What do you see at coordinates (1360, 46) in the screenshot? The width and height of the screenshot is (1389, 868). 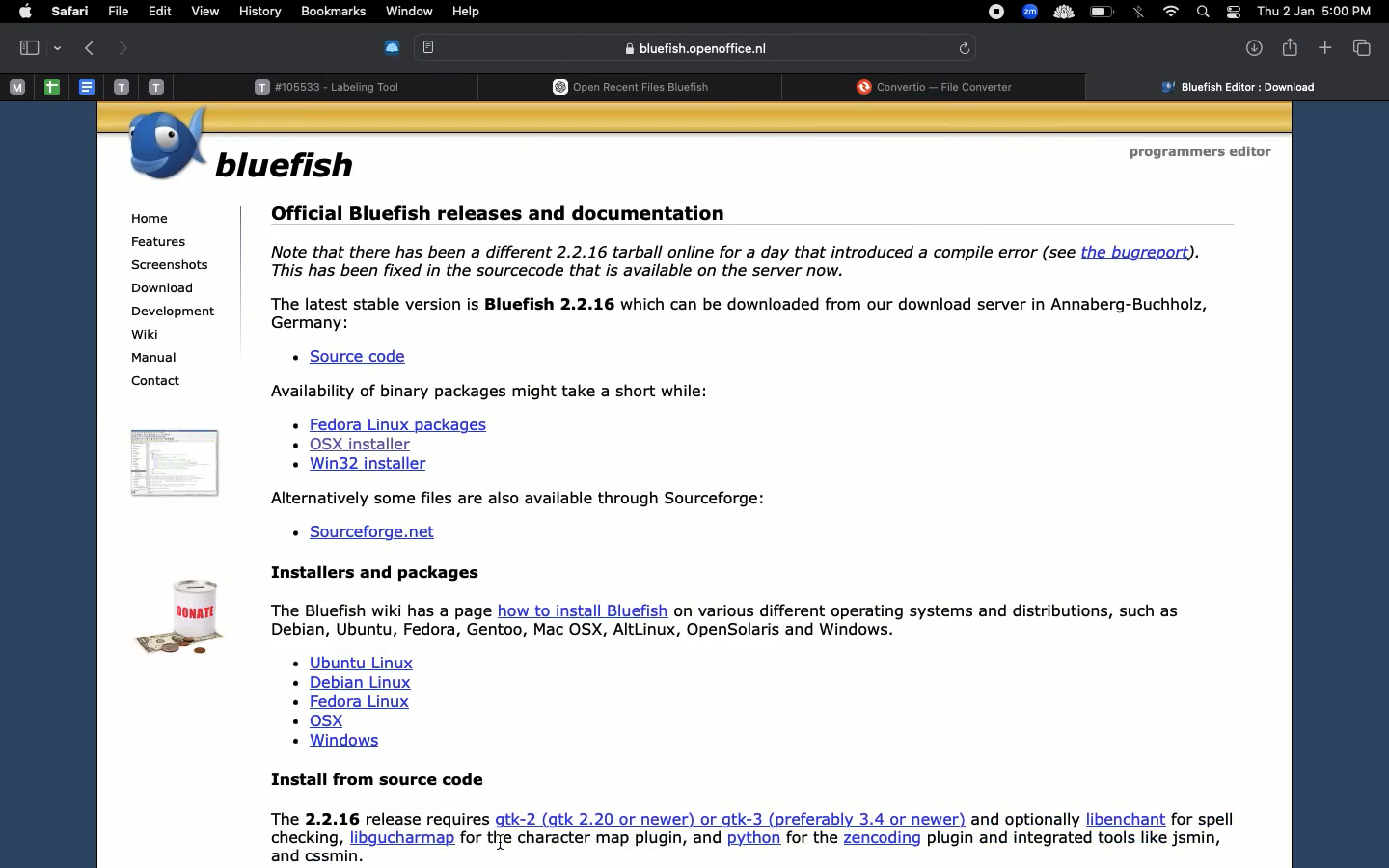 I see `tabs` at bounding box center [1360, 46].